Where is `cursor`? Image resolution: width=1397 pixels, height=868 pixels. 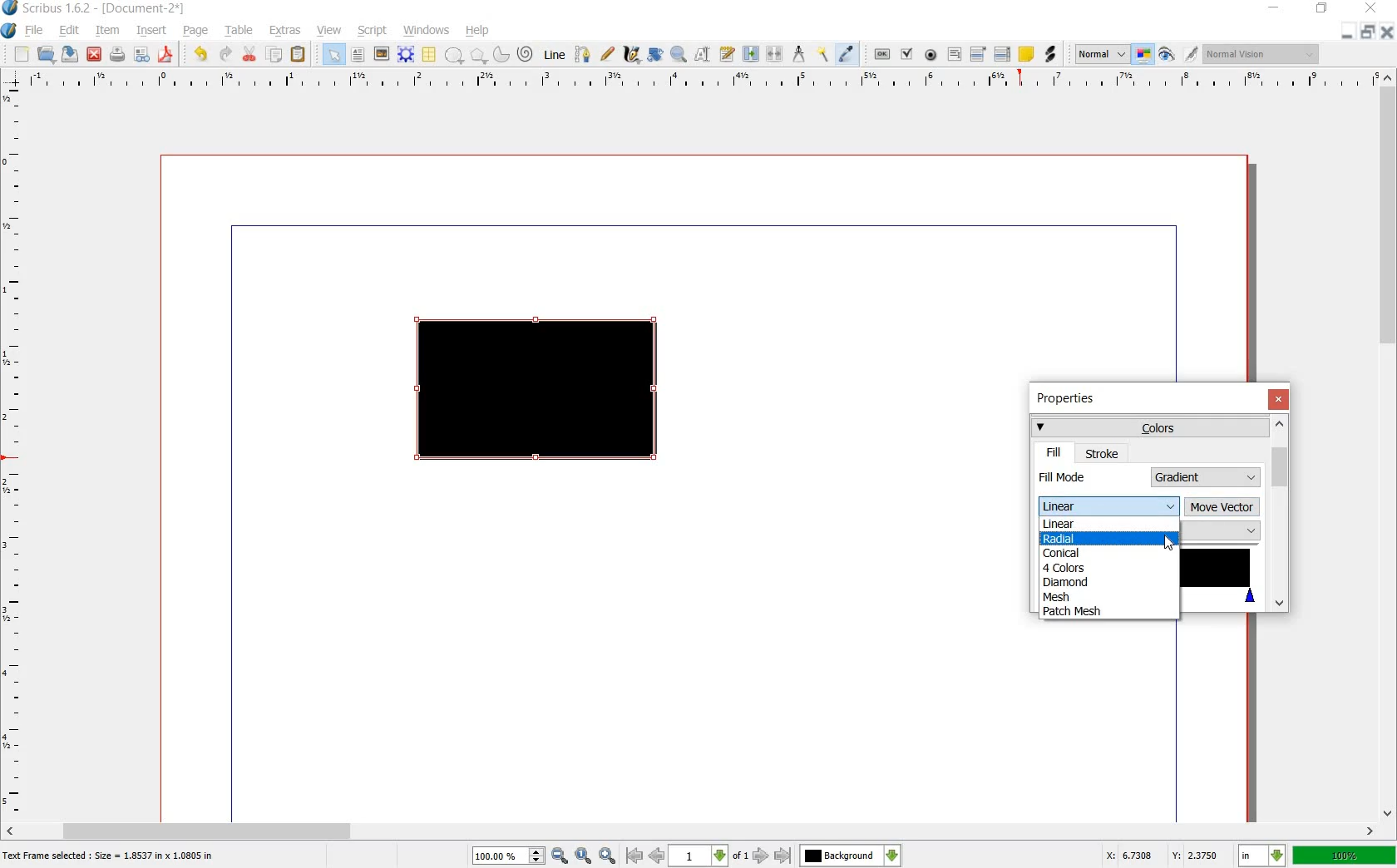 cursor is located at coordinates (1168, 545).